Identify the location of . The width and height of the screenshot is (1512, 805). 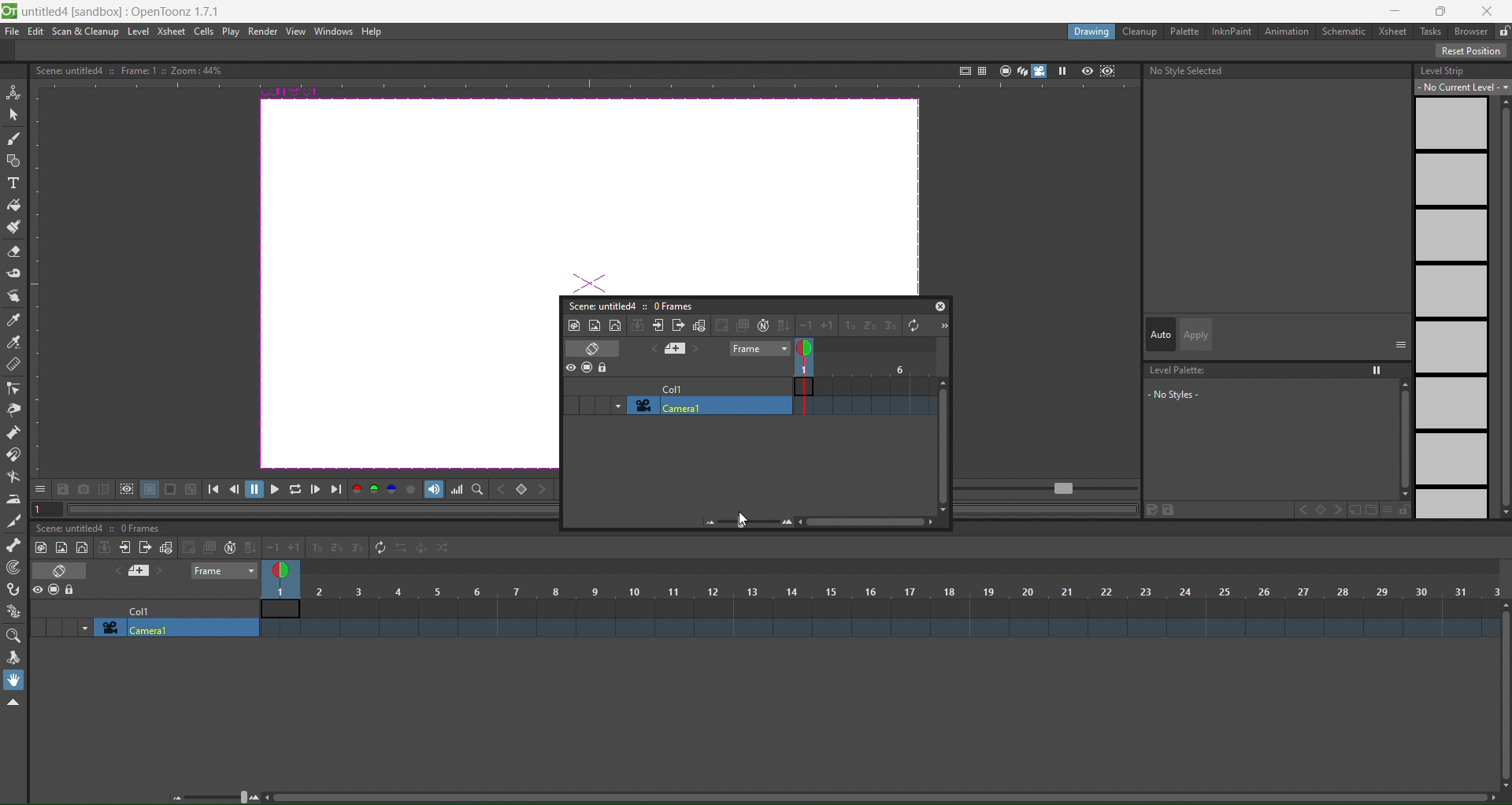
(14, 658).